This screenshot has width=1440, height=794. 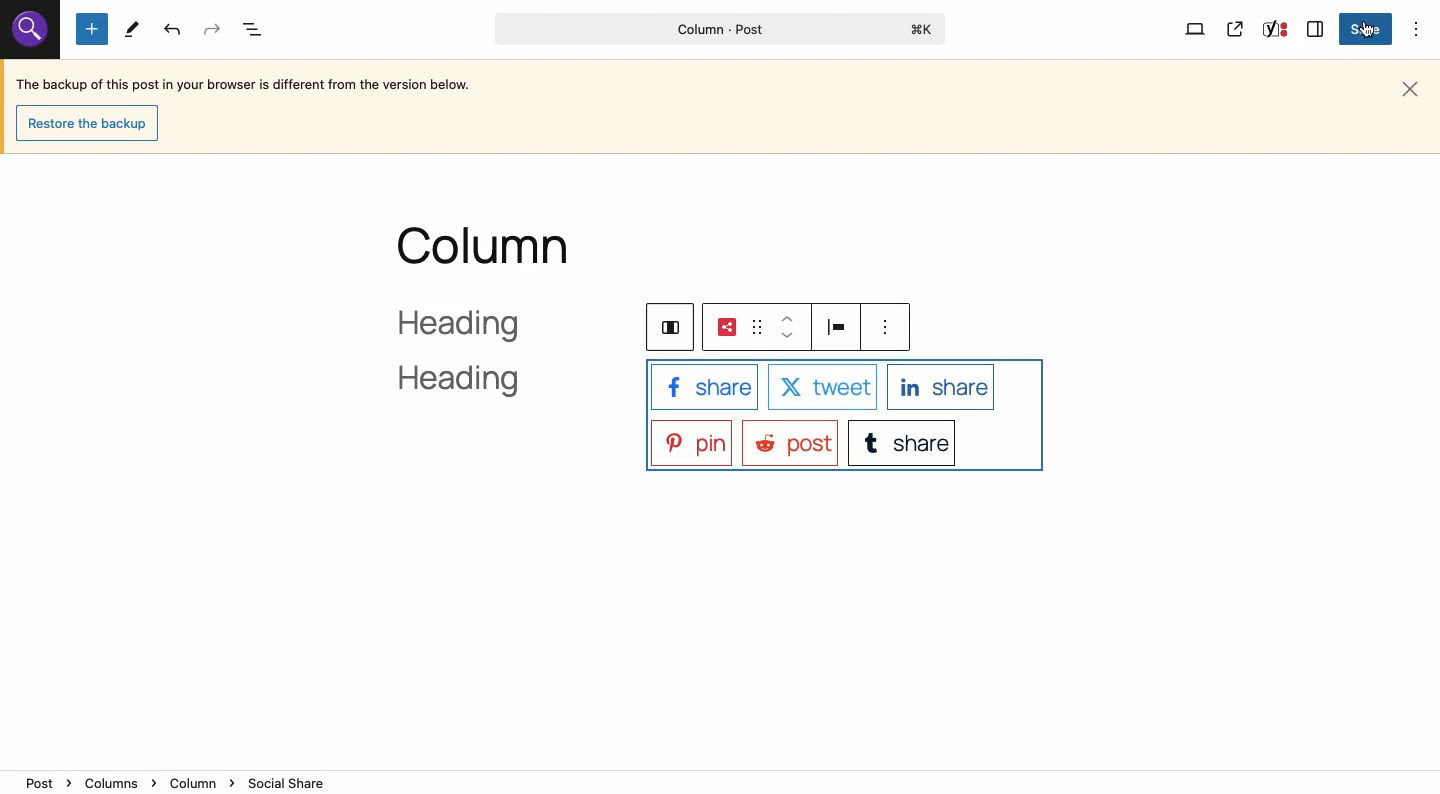 I want to click on Pinterest, so click(x=691, y=441).